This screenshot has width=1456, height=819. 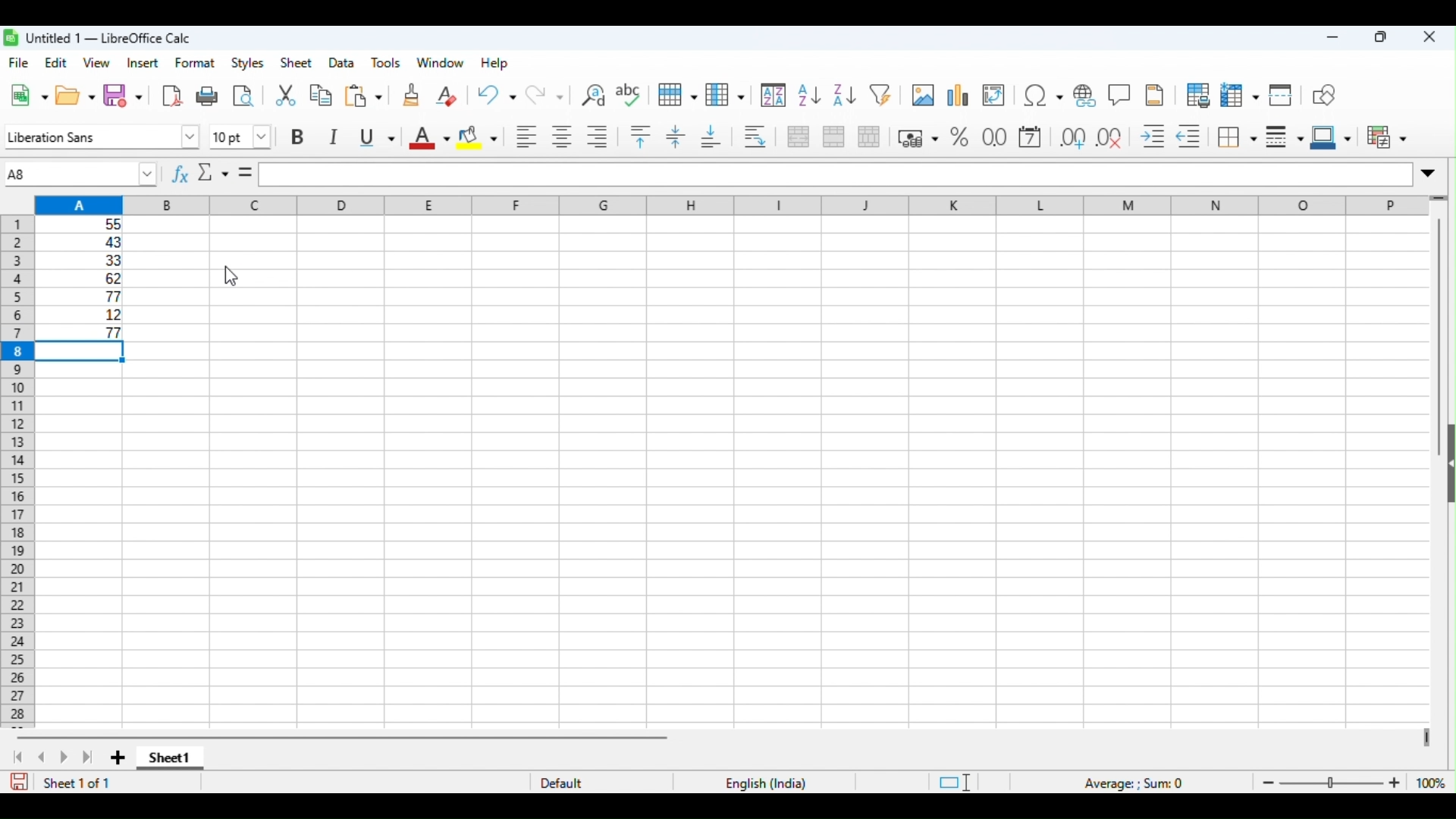 I want to click on clear direct formatting, so click(x=447, y=96).